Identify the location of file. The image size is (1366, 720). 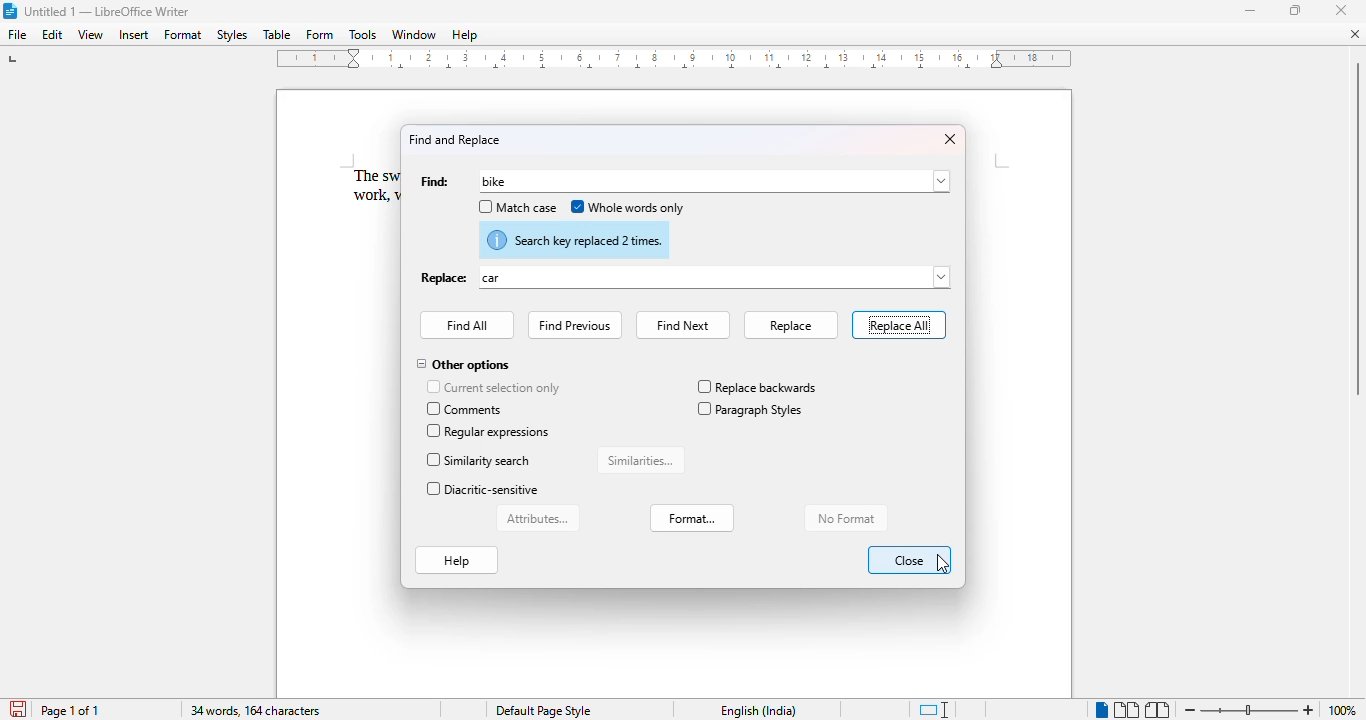
(18, 34).